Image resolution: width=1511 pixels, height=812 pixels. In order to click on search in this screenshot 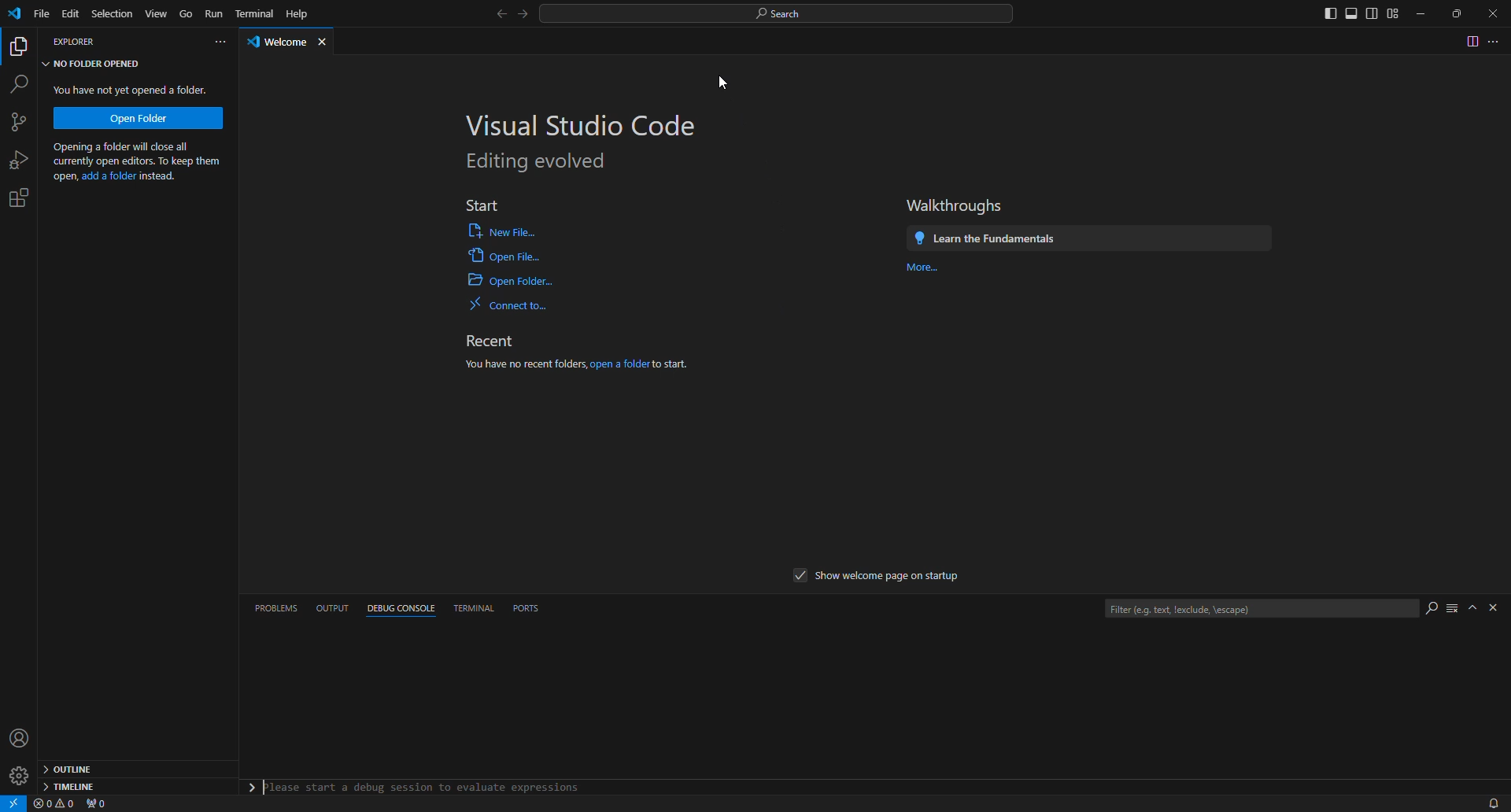, I will do `click(1427, 606)`.